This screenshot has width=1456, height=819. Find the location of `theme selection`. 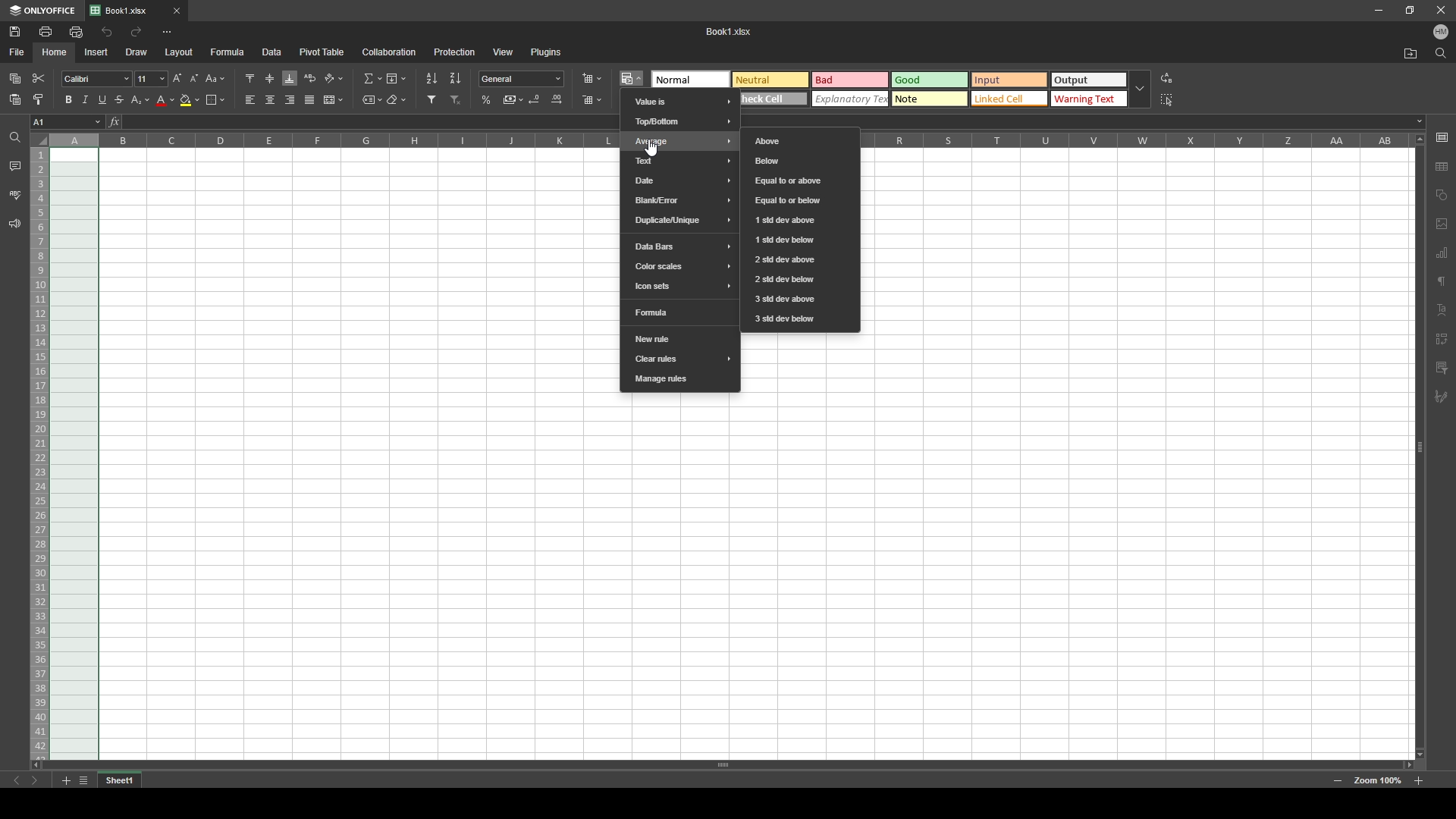

theme selection is located at coordinates (931, 89).